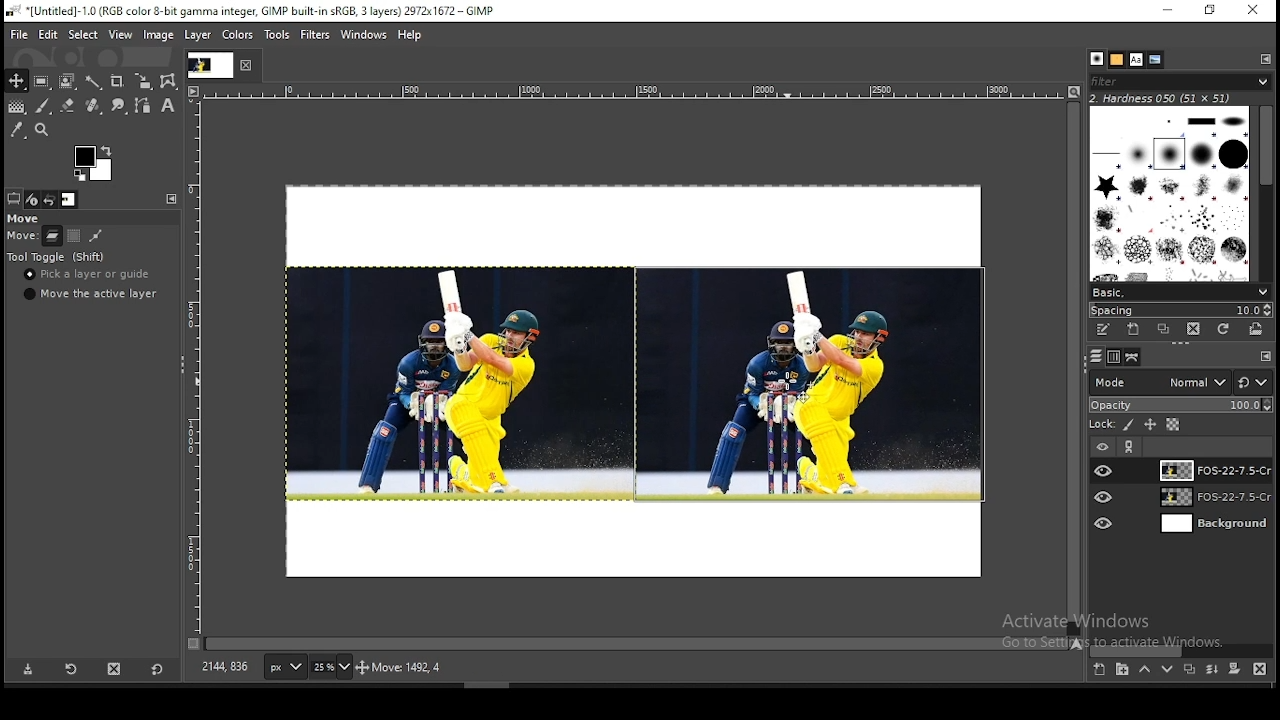 The image size is (1280, 720). What do you see at coordinates (1253, 10) in the screenshot?
I see `close` at bounding box center [1253, 10].